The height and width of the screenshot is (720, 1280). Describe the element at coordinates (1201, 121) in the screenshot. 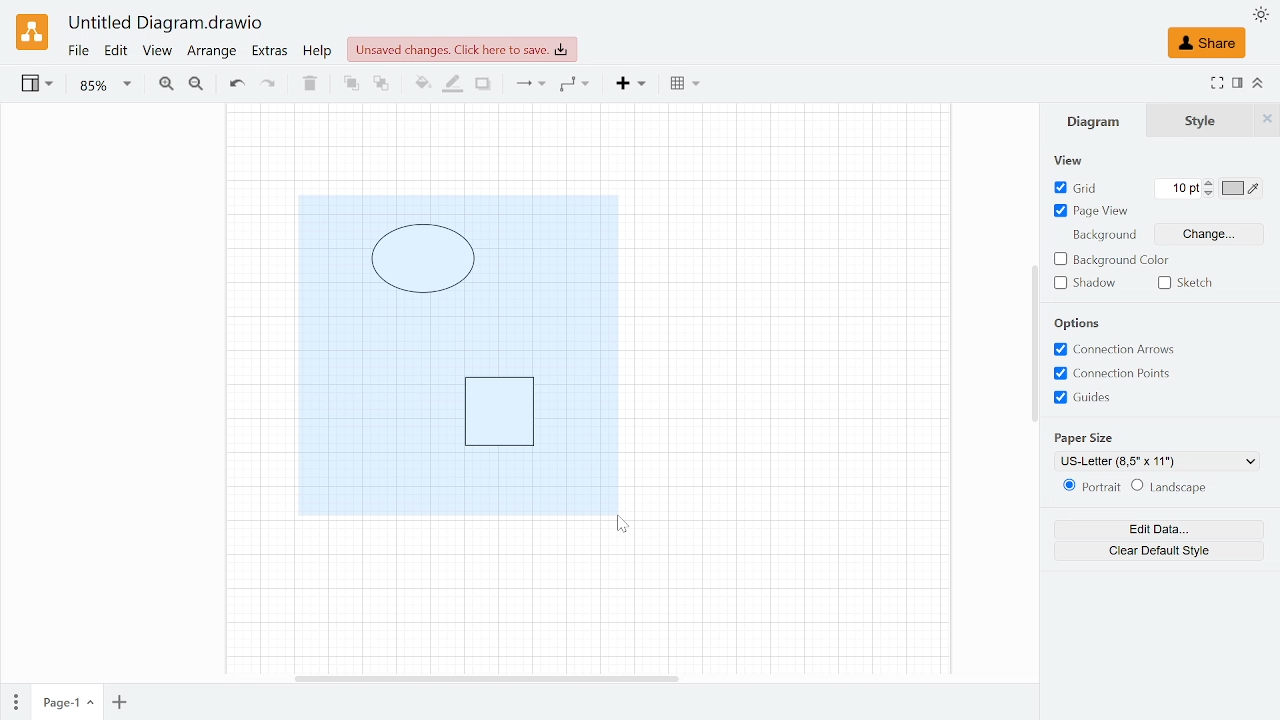

I see `Style` at that location.